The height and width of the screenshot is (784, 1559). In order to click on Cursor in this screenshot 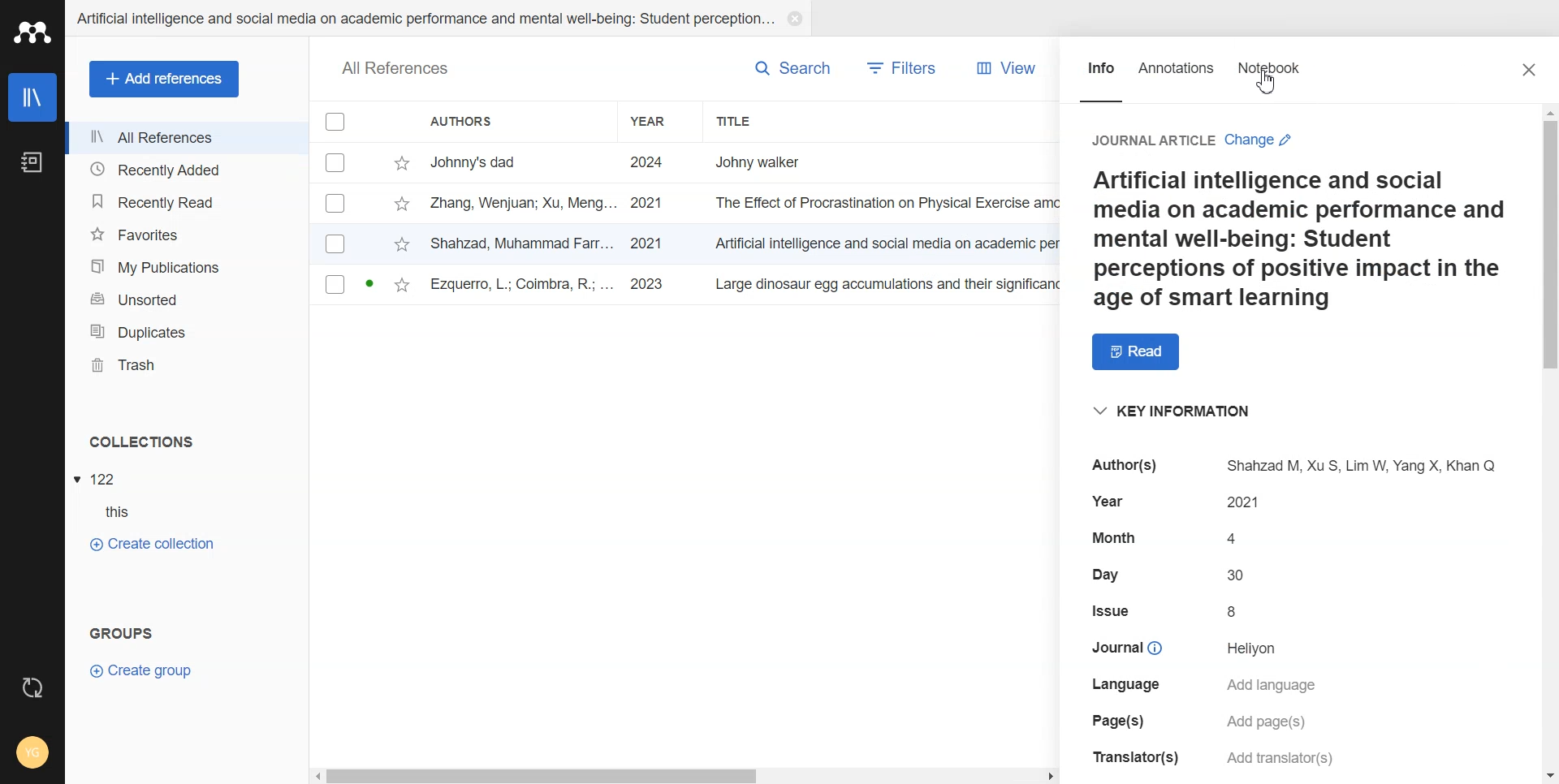, I will do `click(1267, 81)`.